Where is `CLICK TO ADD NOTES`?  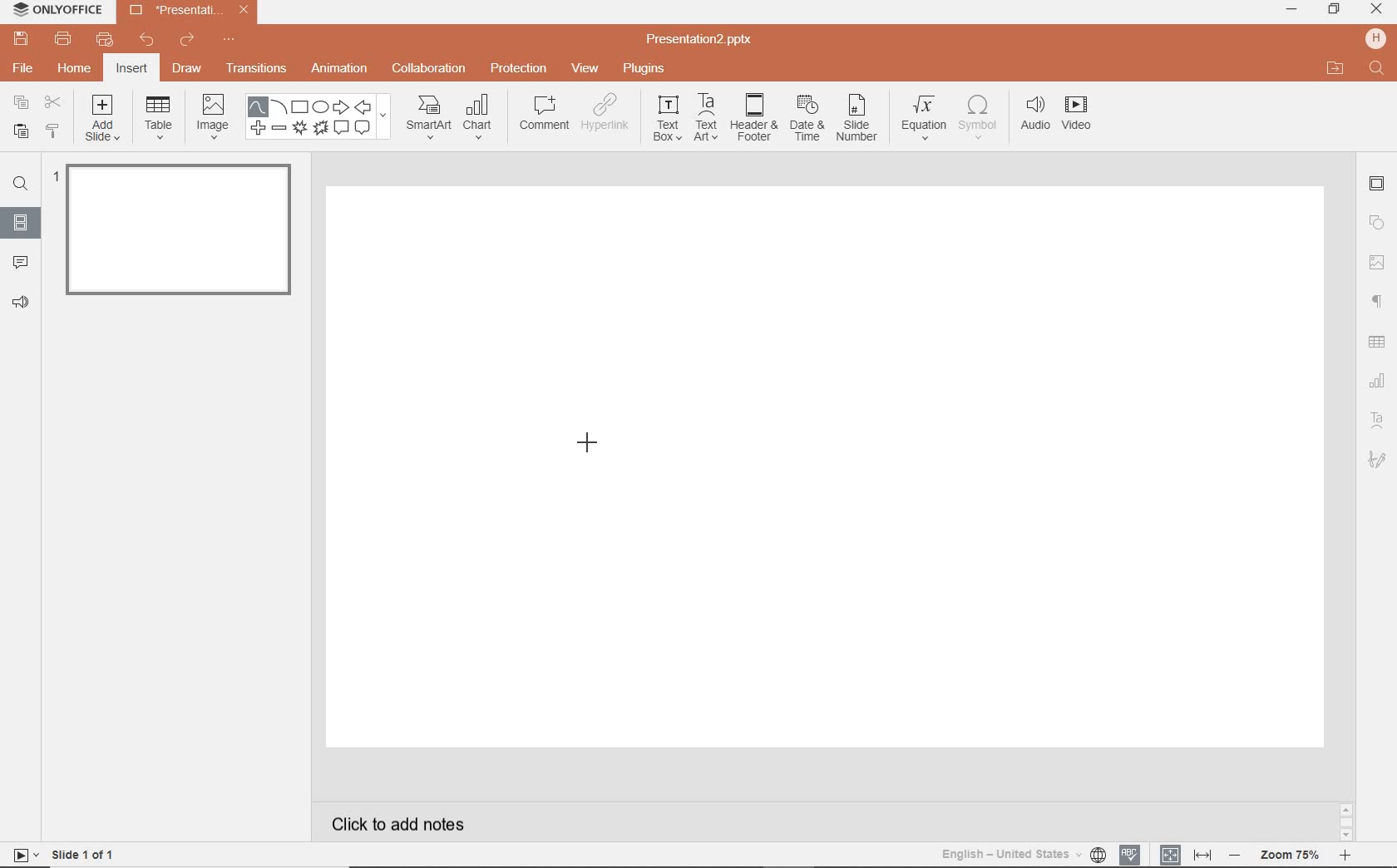 CLICK TO ADD NOTES is located at coordinates (403, 824).